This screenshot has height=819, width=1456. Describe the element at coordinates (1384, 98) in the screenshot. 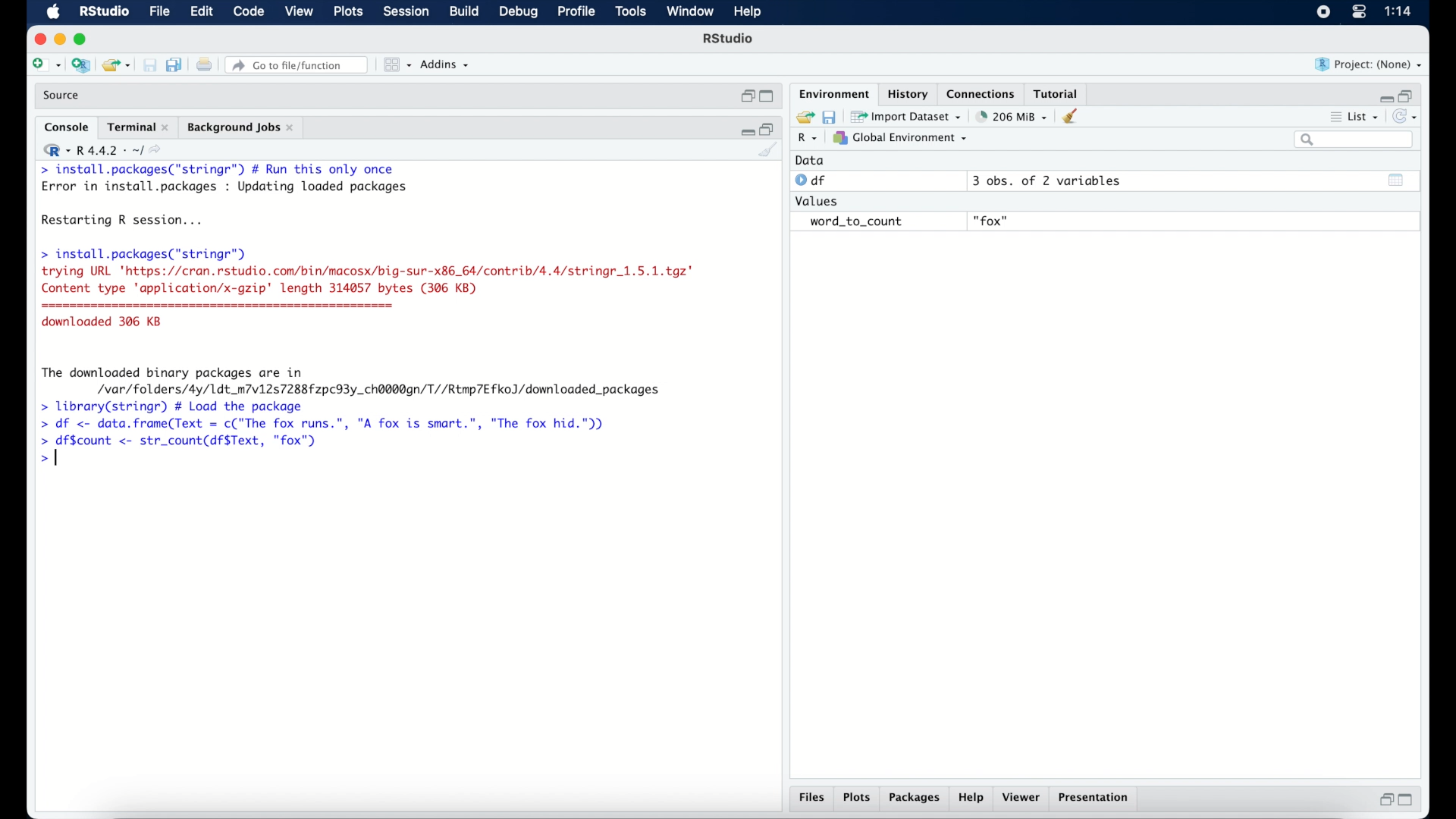

I see `minimize` at that location.